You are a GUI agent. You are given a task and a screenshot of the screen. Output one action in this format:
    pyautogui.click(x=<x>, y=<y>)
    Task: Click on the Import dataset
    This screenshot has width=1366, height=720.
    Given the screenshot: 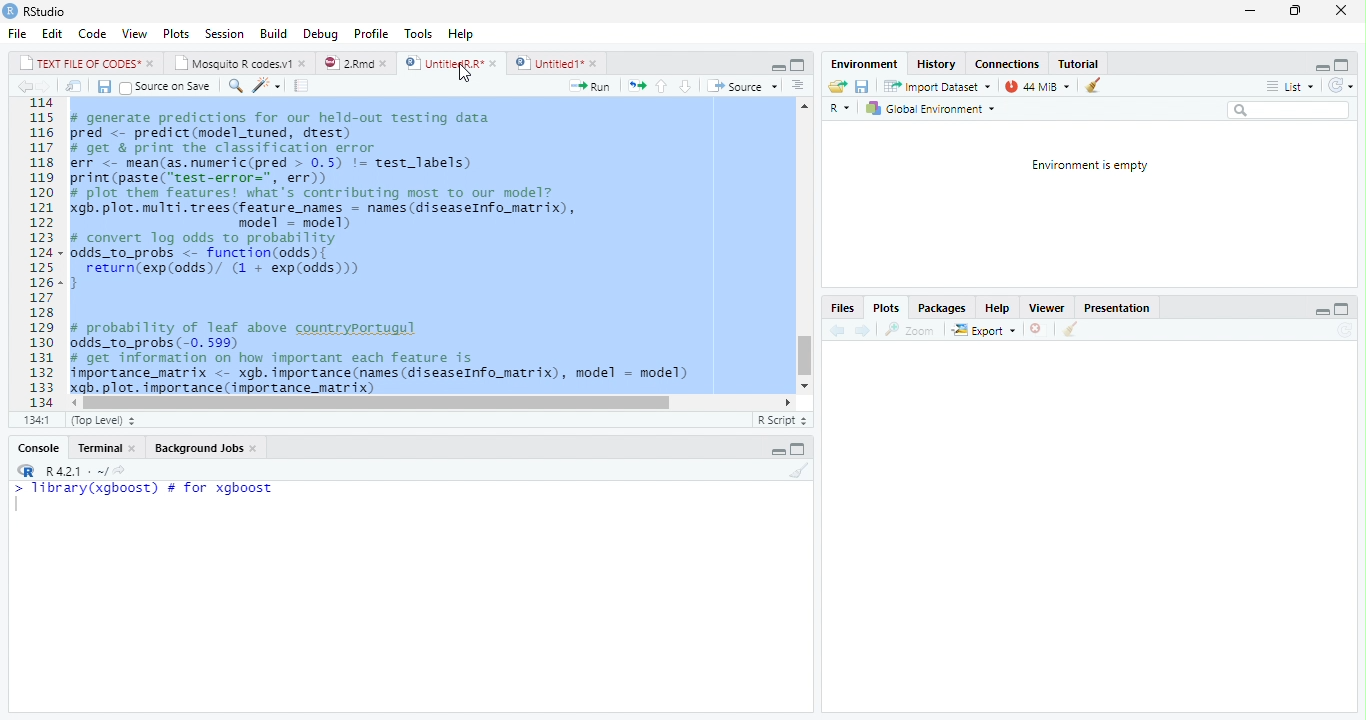 What is the action you would take?
    pyautogui.click(x=936, y=85)
    